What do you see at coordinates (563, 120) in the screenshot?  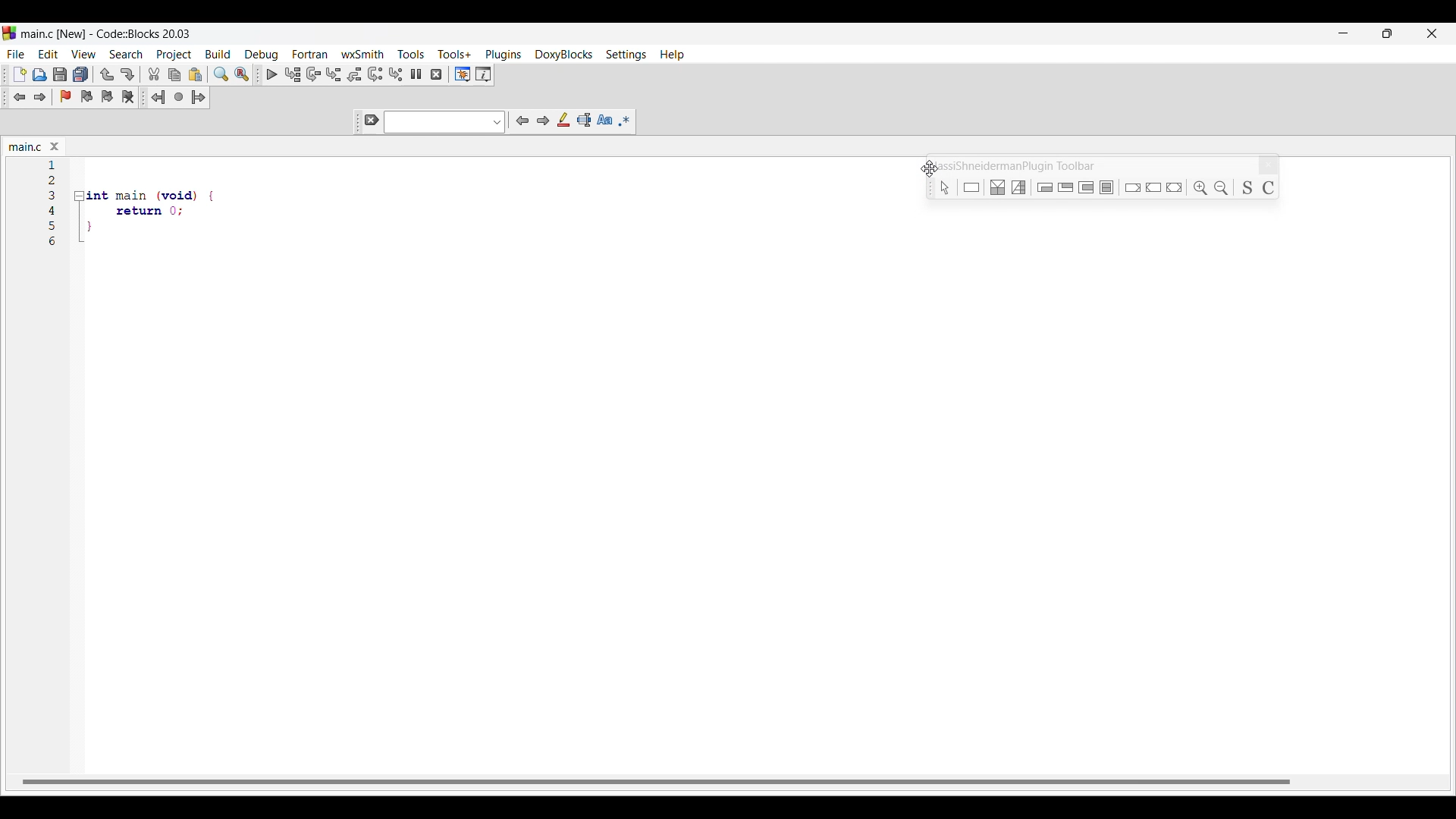 I see `Highlight` at bounding box center [563, 120].